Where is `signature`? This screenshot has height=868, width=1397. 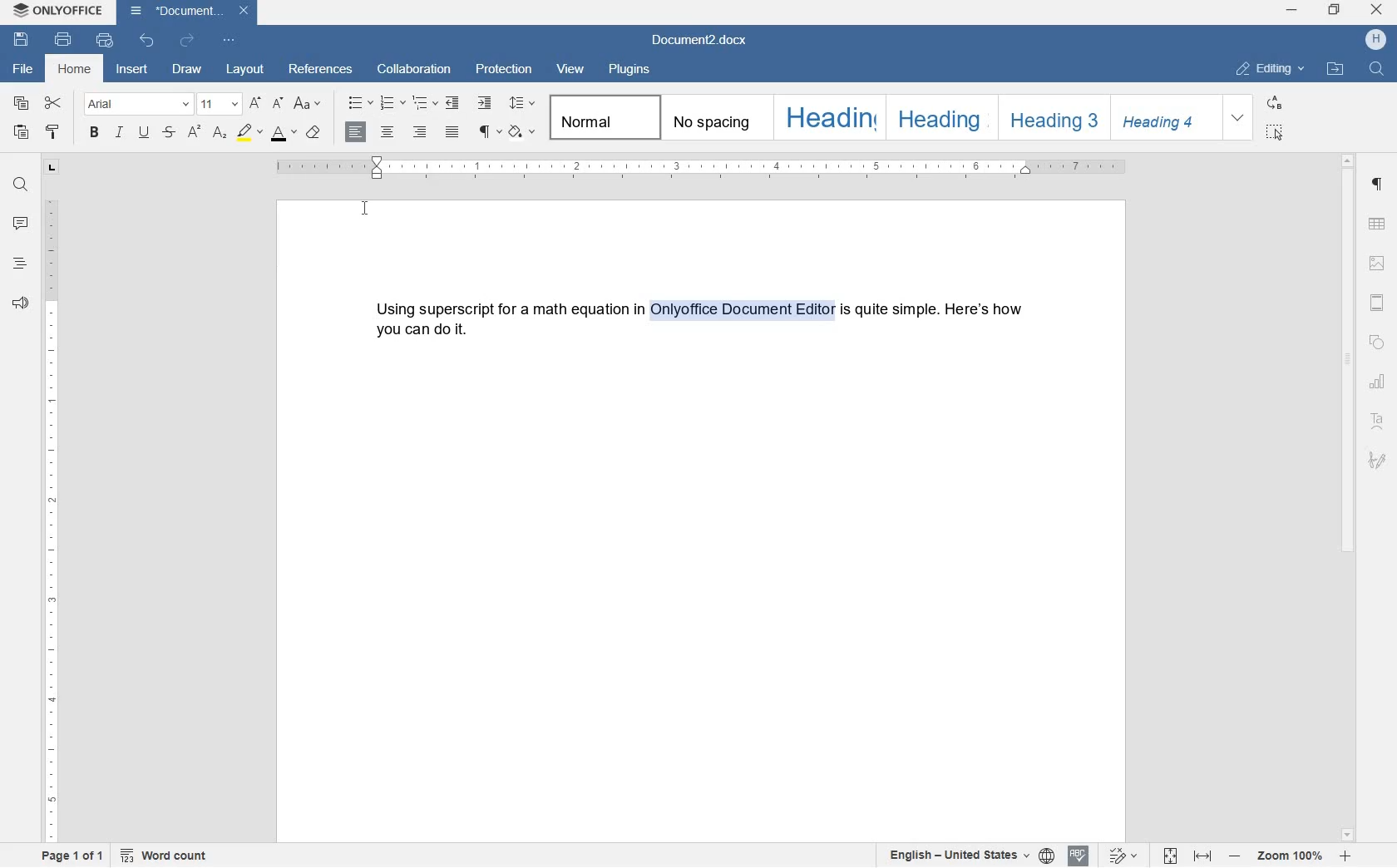 signature is located at coordinates (1378, 461).